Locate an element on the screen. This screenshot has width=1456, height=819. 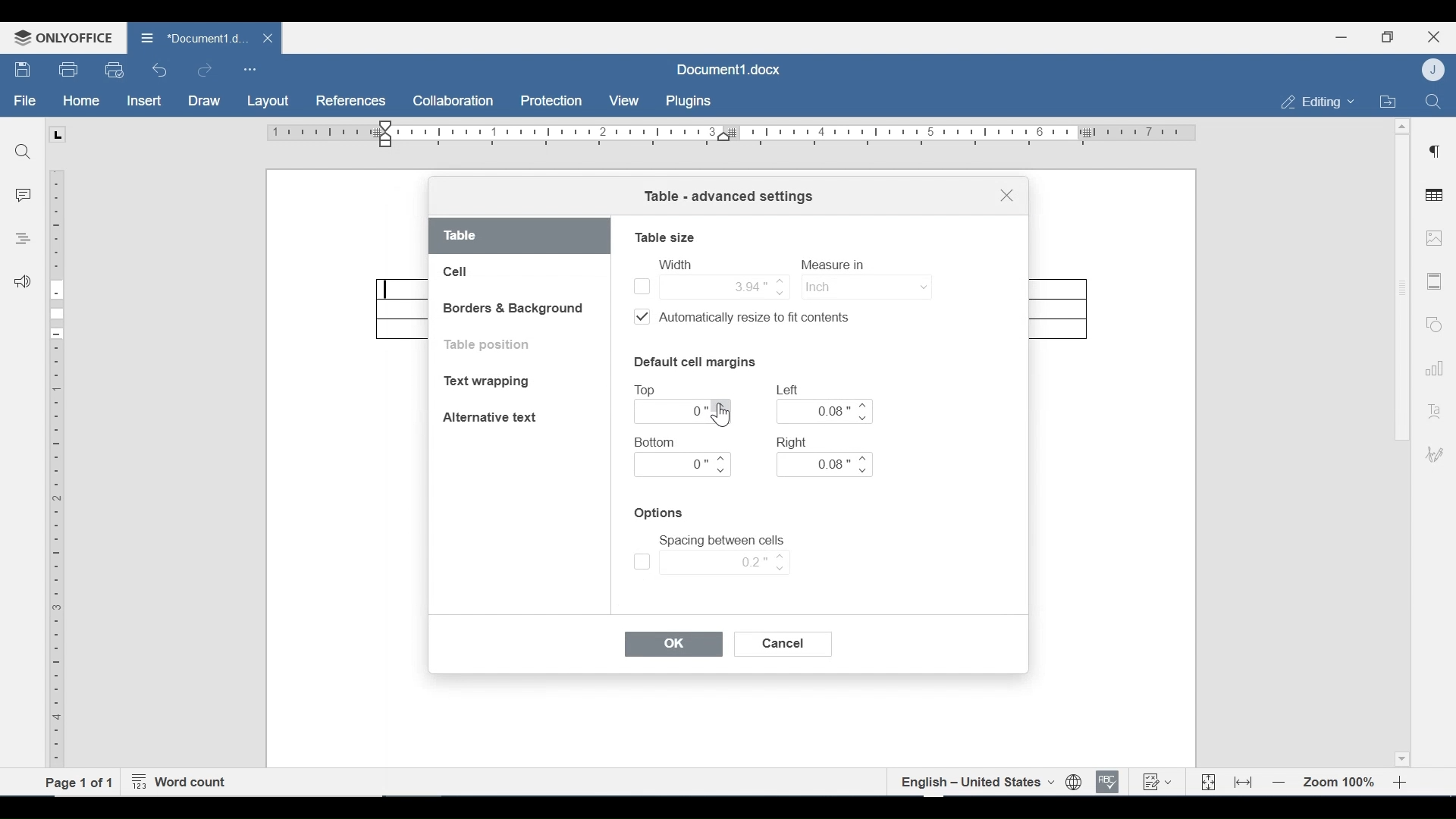
Scroll bar is located at coordinates (1401, 287).